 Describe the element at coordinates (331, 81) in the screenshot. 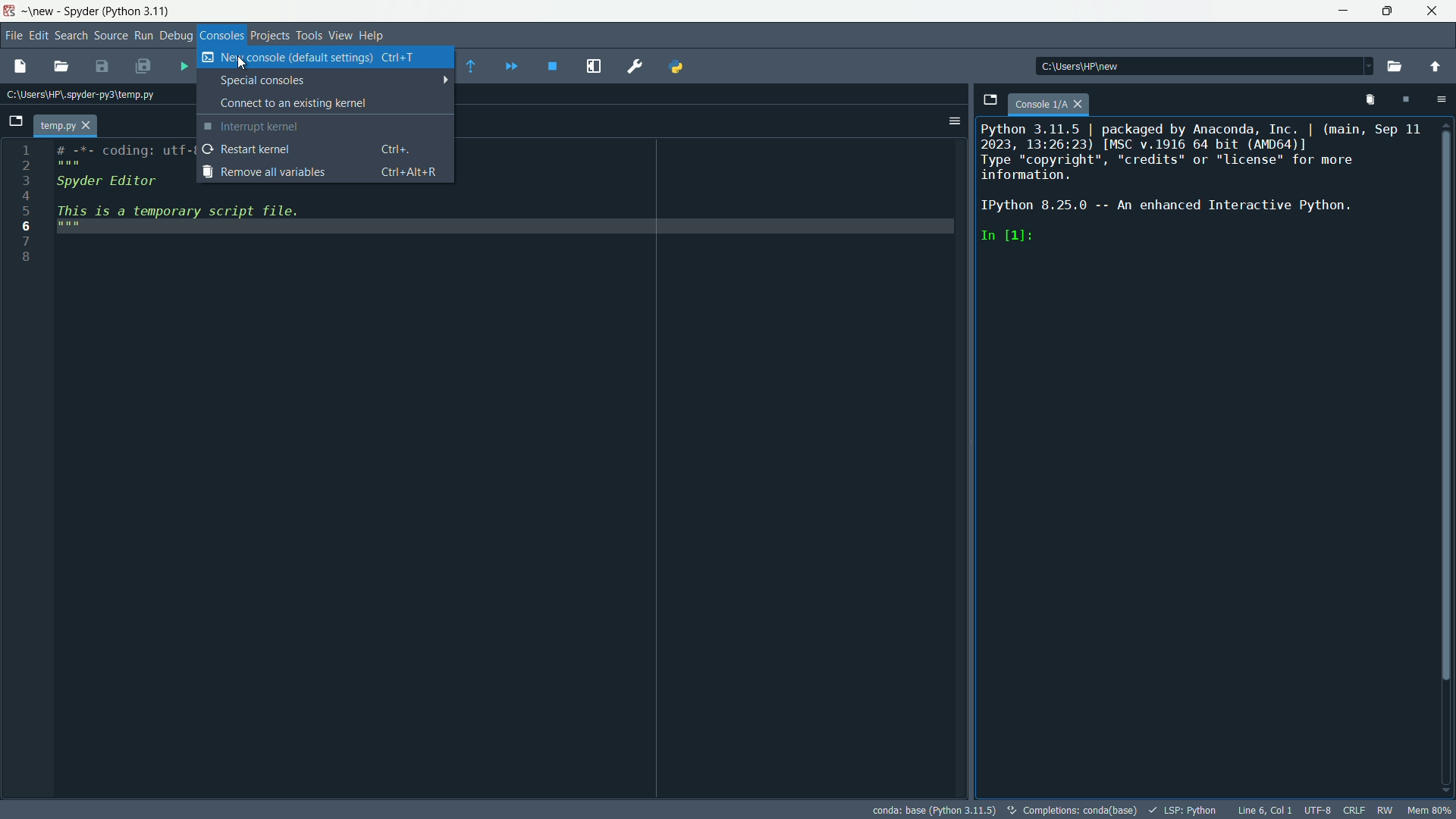

I see `special consoles` at that location.